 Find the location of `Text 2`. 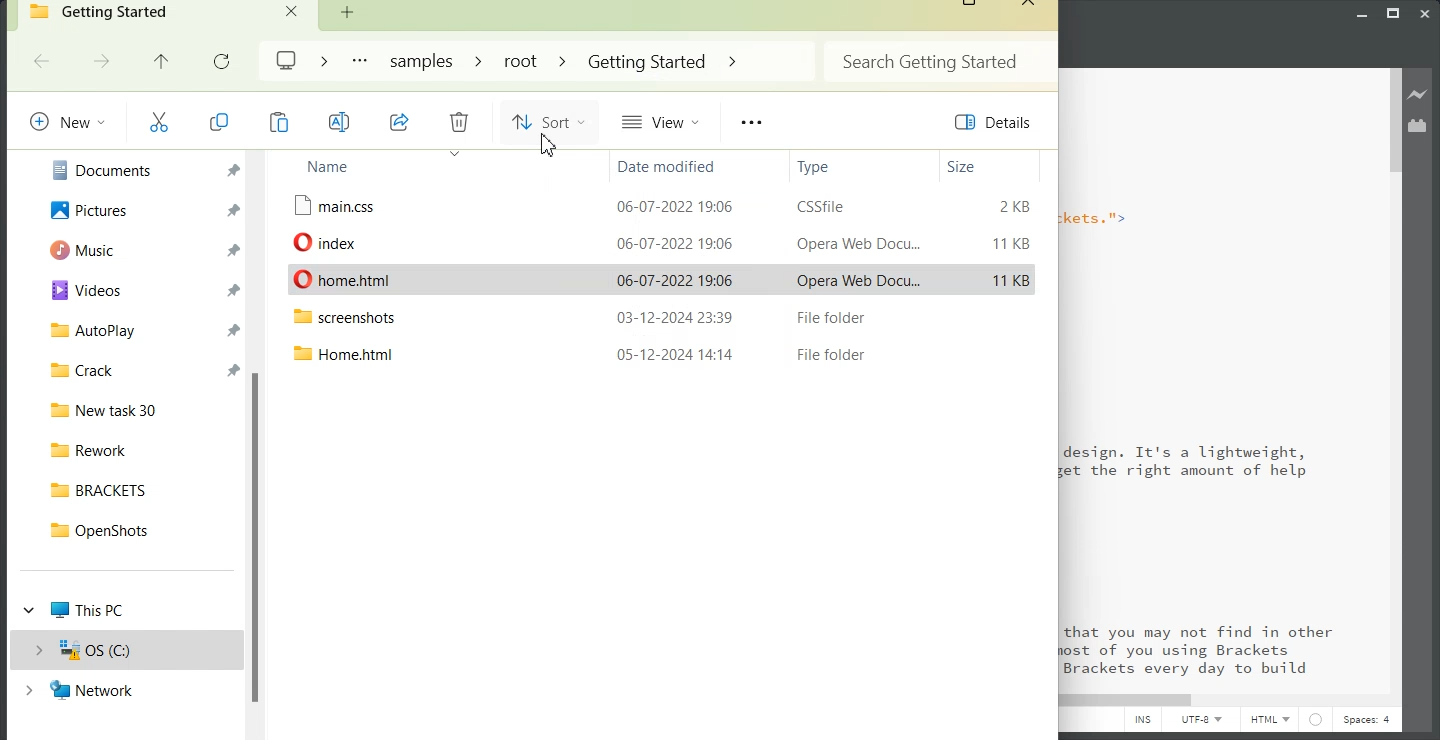

Text 2 is located at coordinates (1214, 380).